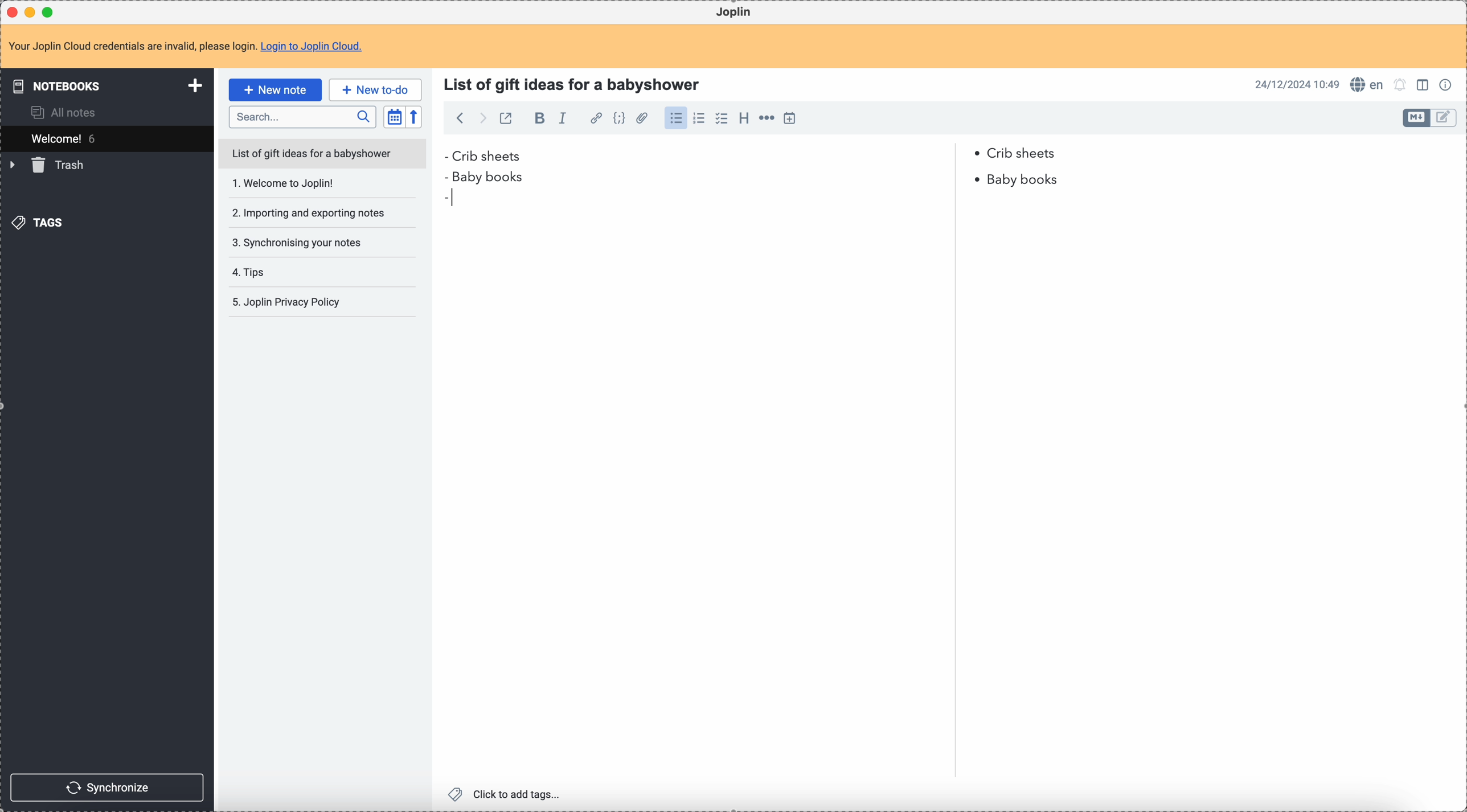 The width and height of the screenshot is (1467, 812). I want to click on attach file, so click(644, 119).